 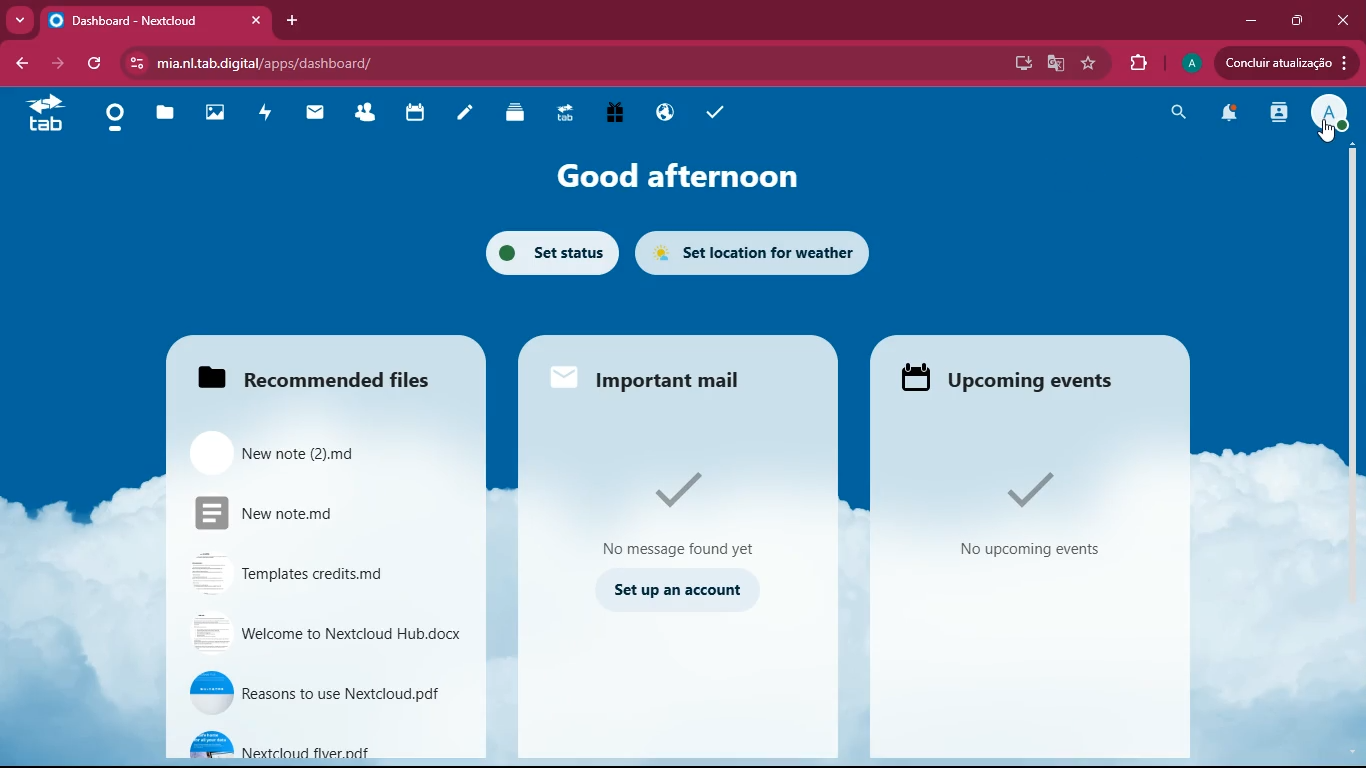 What do you see at coordinates (1174, 115) in the screenshot?
I see `search` at bounding box center [1174, 115].